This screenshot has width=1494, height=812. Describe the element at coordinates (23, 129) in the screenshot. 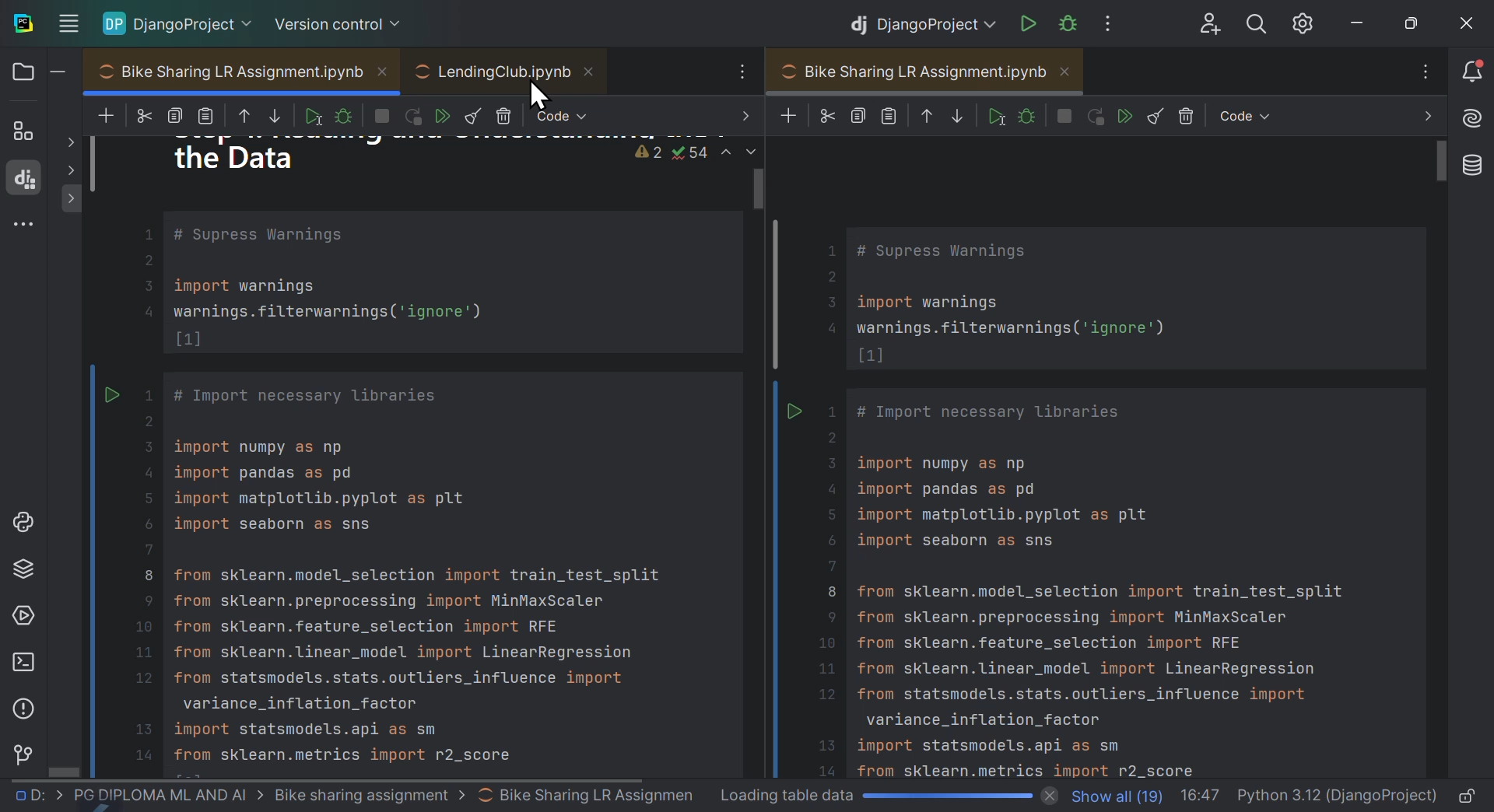

I see `structure` at that location.